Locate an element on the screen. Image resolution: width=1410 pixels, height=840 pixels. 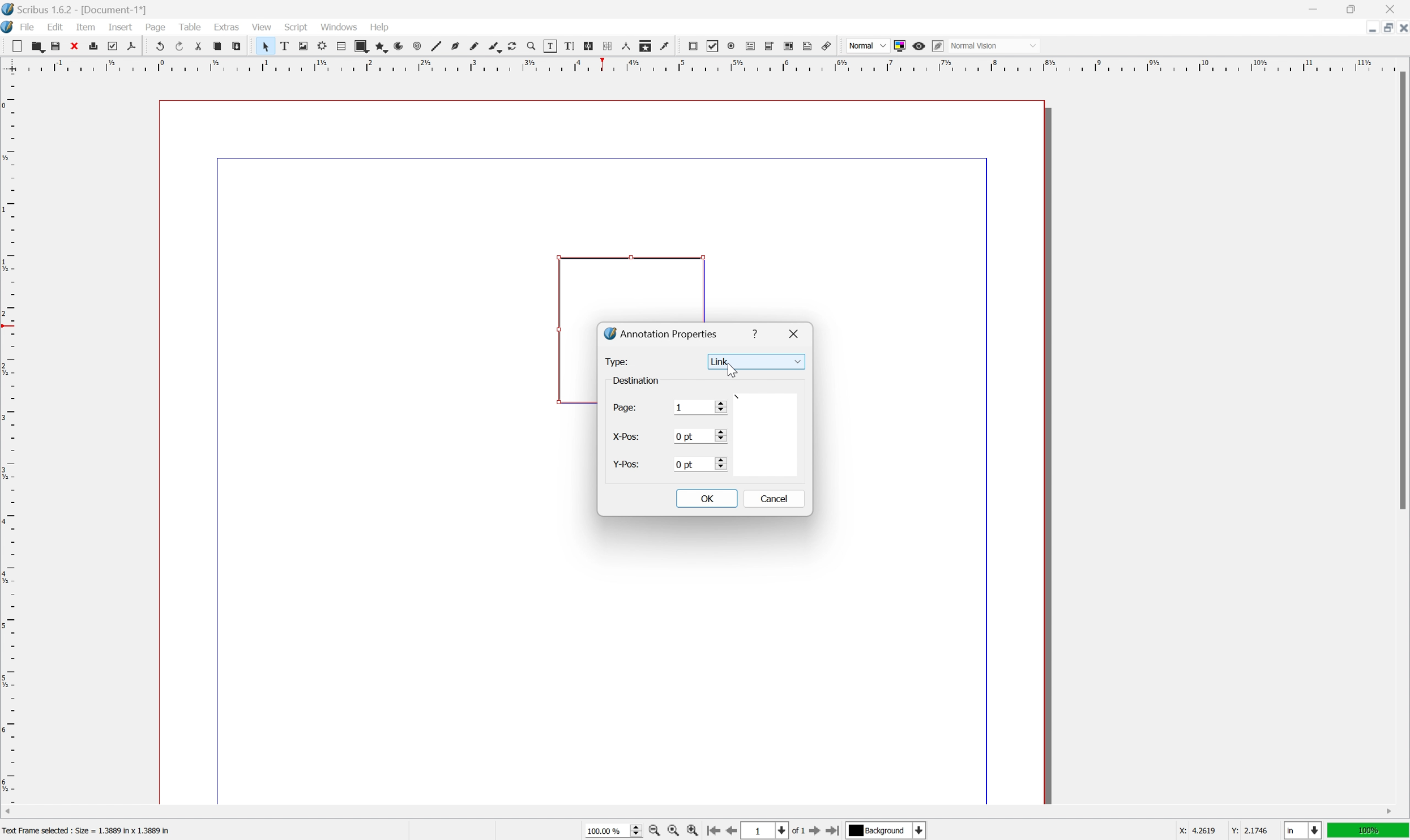
render frame is located at coordinates (323, 46).